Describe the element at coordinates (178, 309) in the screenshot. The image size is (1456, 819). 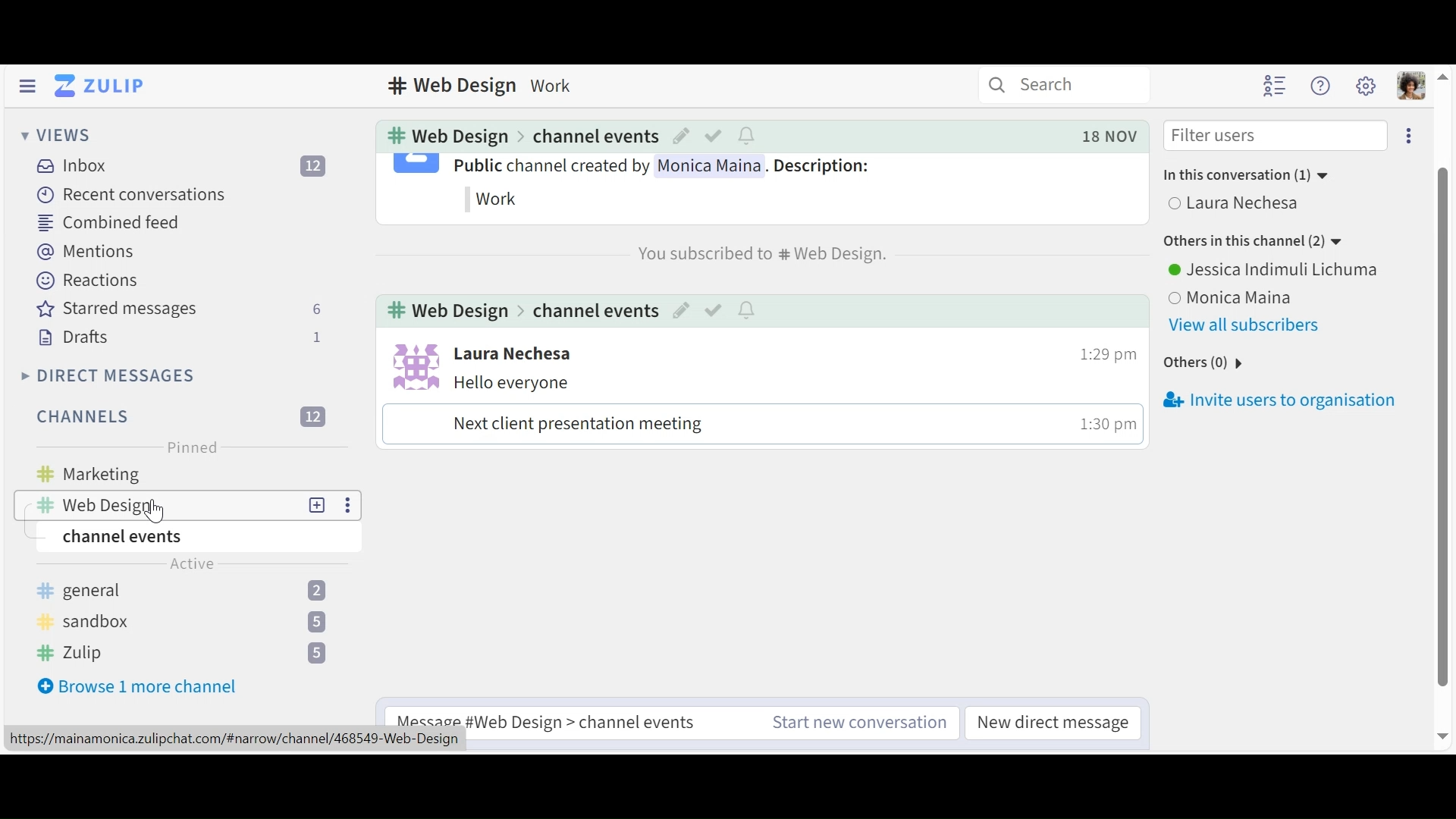
I see `Starred messages` at that location.